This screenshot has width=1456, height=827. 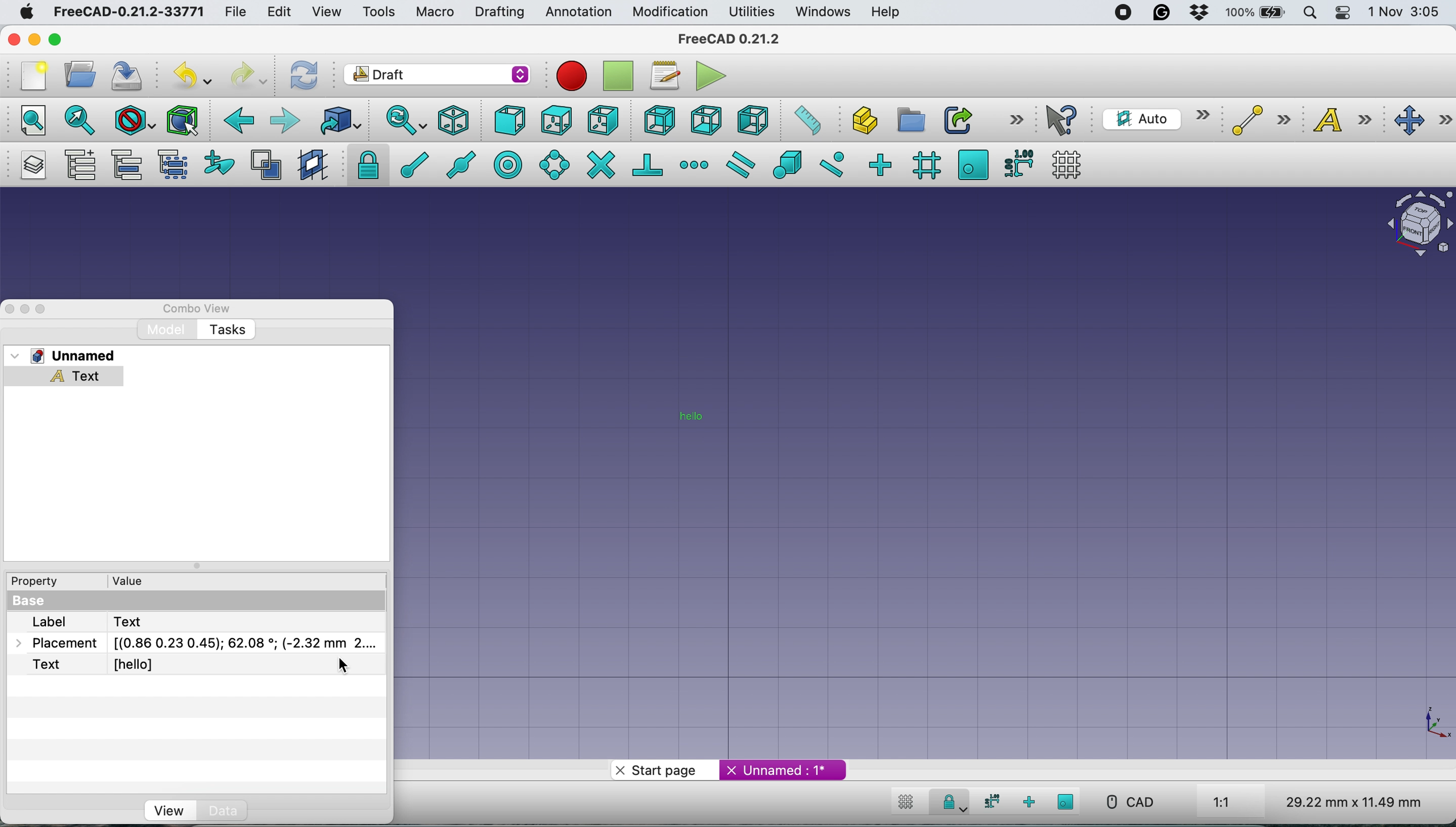 What do you see at coordinates (78, 166) in the screenshot?
I see `add a new named group` at bounding box center [78, 166].